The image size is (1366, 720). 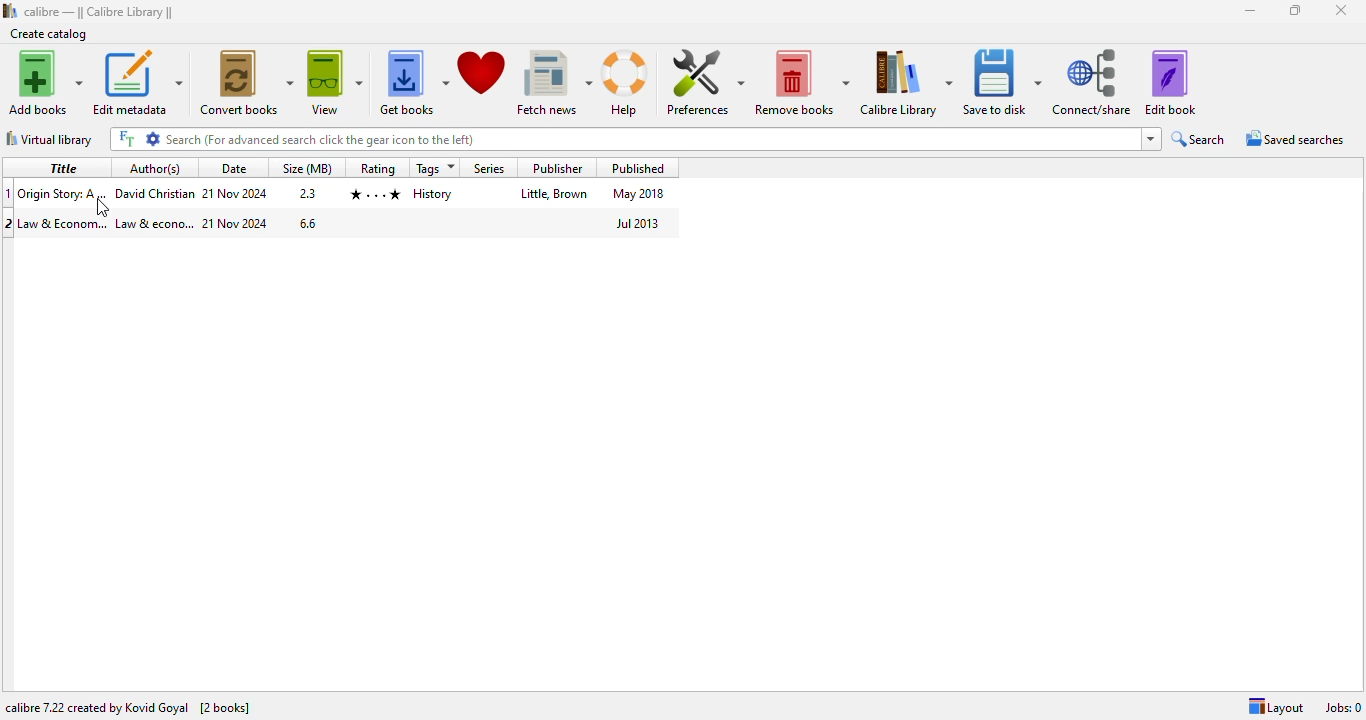 What do you see at coordinates (336, 84) in the screenshot?
I see `view` at bounding box center [336, 84].